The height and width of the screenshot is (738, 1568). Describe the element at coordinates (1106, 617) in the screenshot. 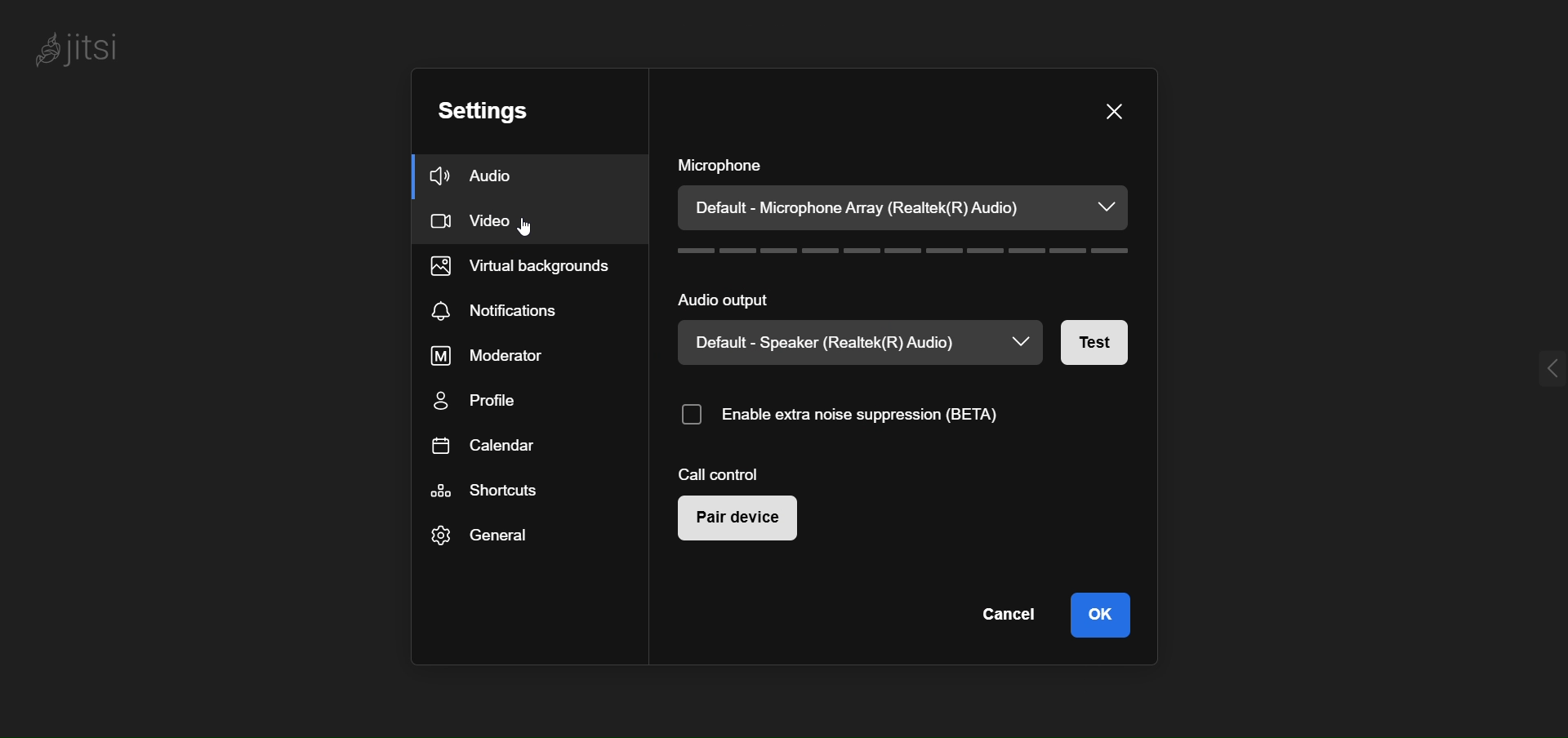

I see `ok` at that location.